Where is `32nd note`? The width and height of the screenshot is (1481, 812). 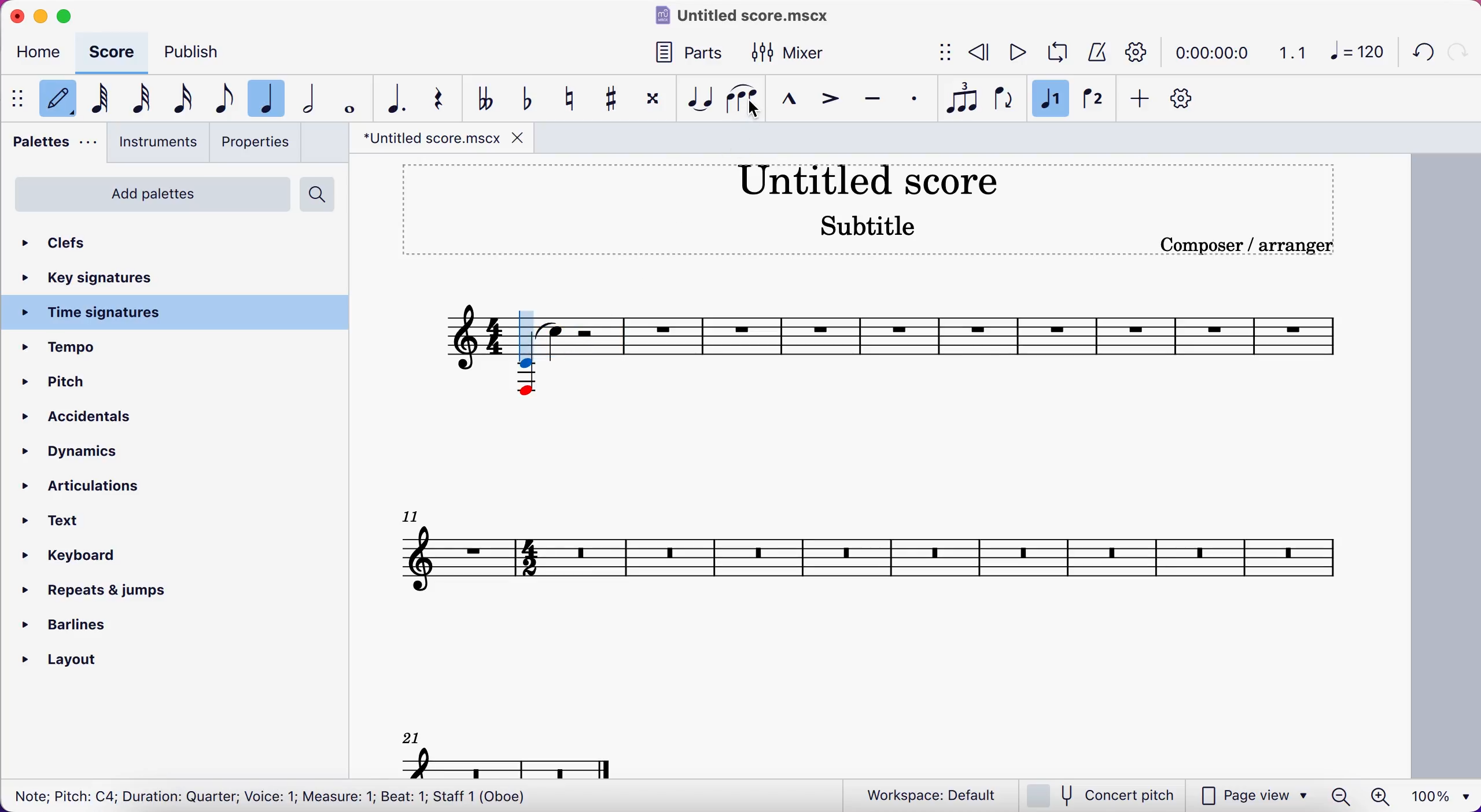
32nd note is located at coordinates (143, 100).